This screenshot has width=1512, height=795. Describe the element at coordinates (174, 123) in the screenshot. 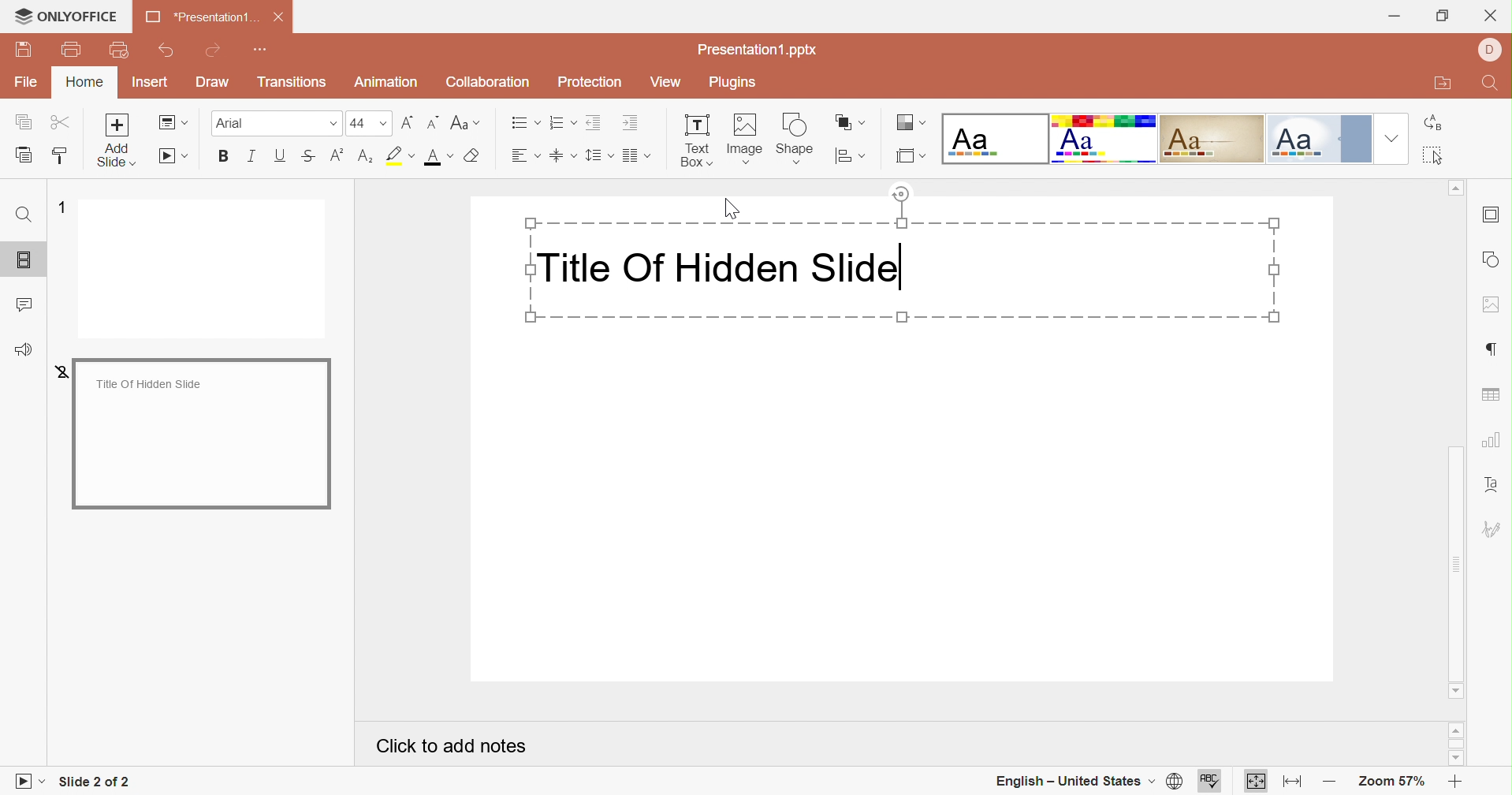

I see `Change slide layout` at that location.